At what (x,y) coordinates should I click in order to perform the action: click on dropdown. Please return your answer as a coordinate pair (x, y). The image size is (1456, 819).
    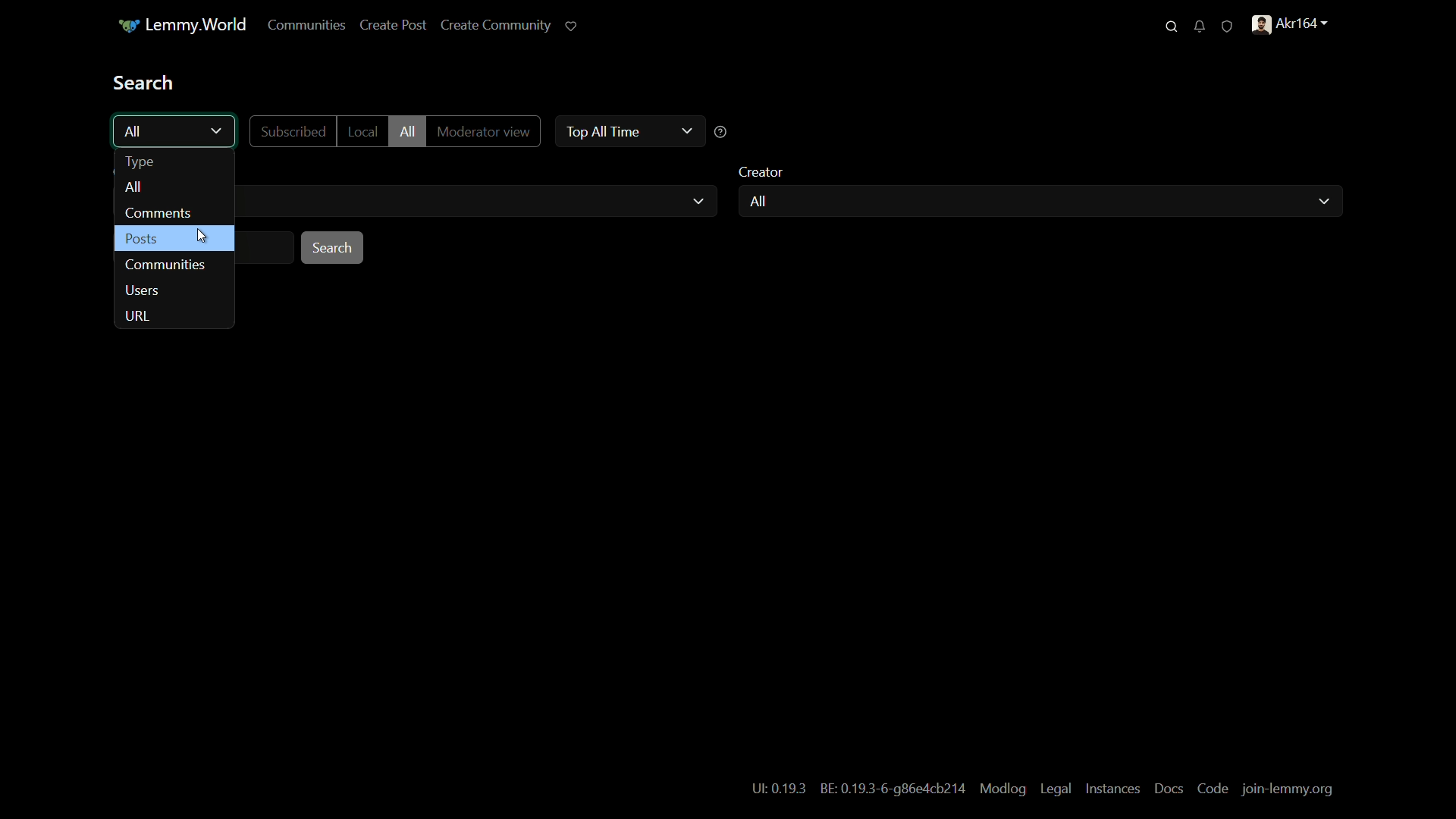
    Looking at the image, I should click on (1323, 202).